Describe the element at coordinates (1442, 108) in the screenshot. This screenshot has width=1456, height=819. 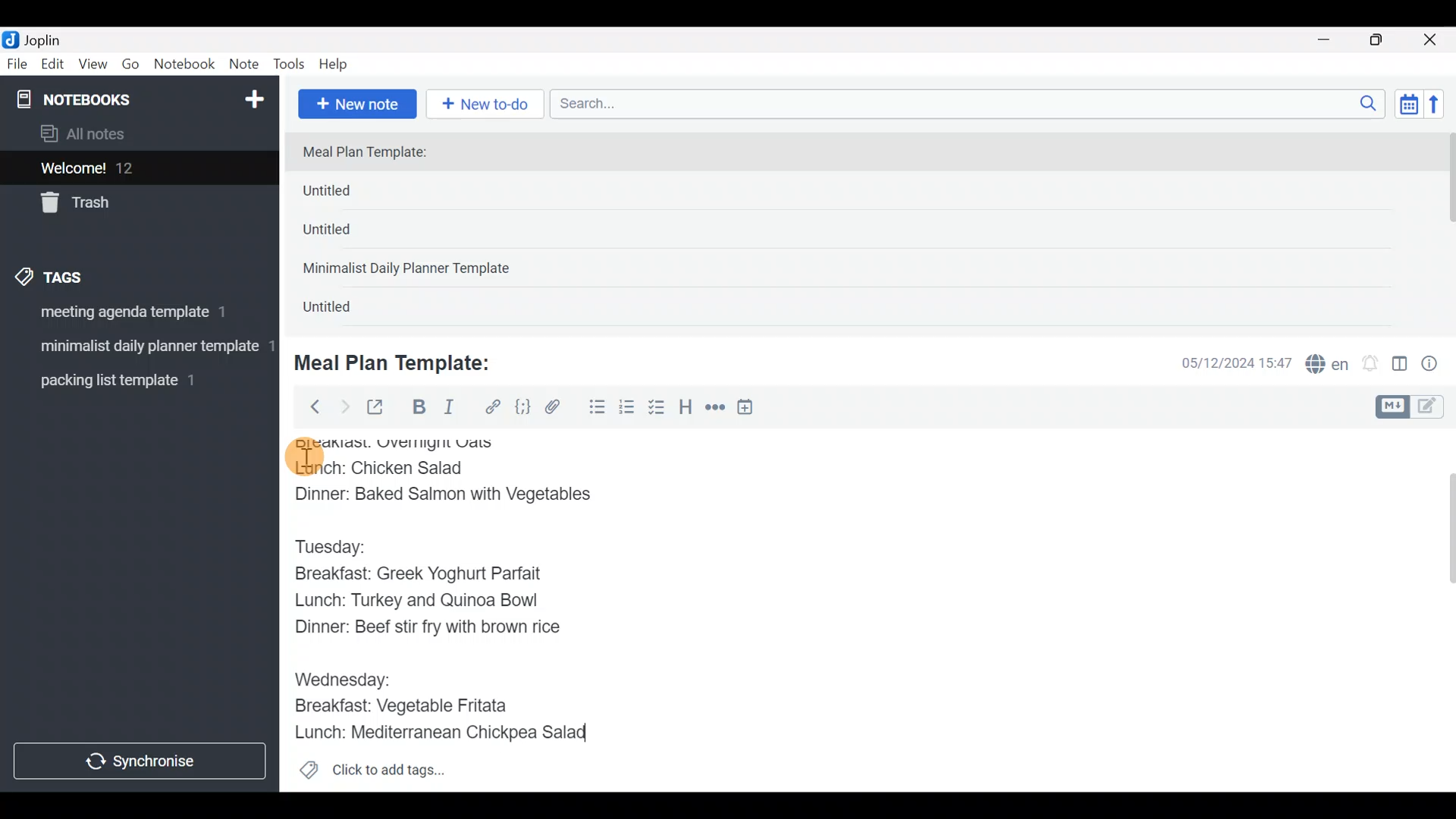
I see `Reverse sort` at that location.